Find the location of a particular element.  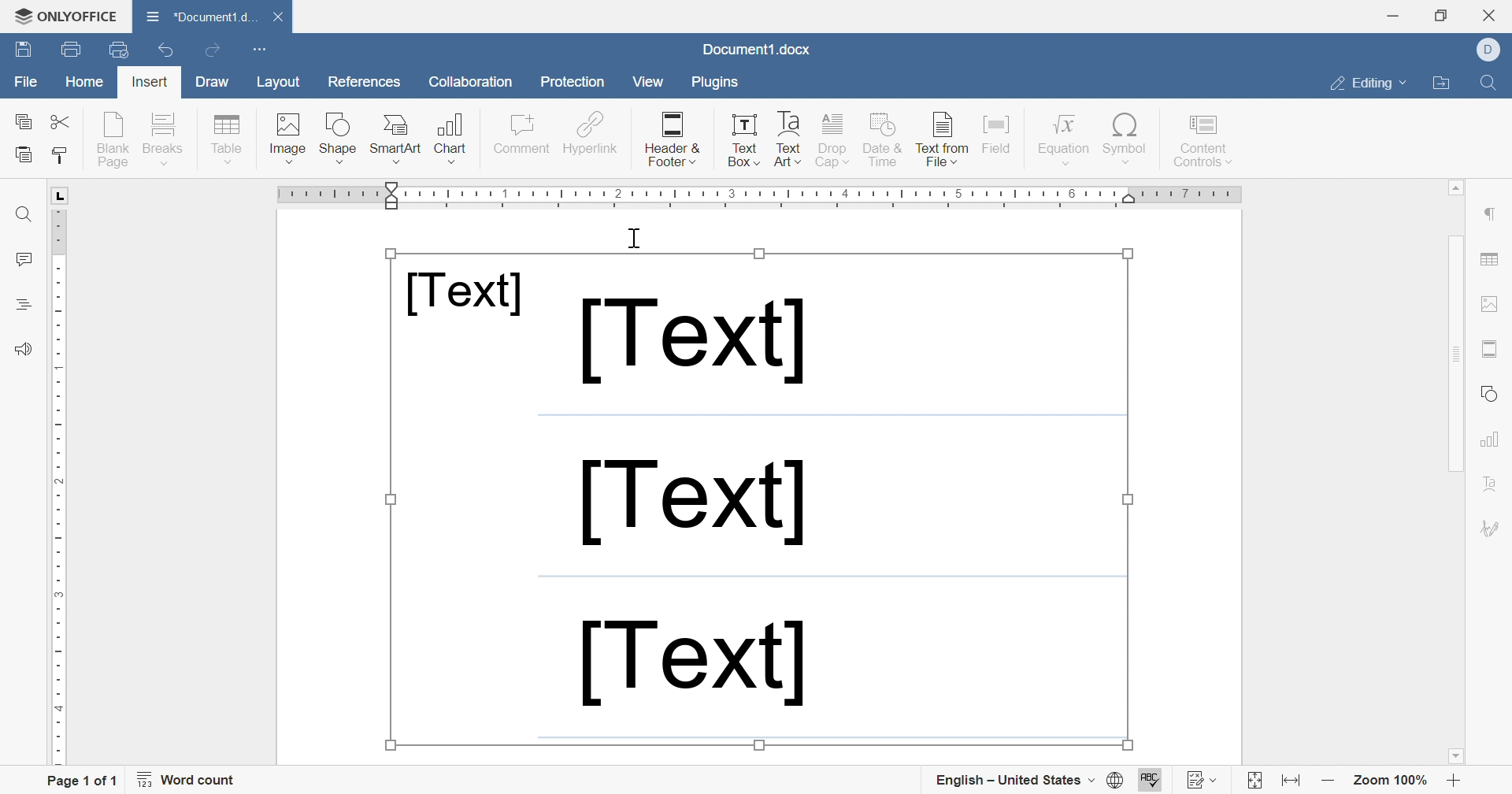

Redo is located at coordinates (213, 50).